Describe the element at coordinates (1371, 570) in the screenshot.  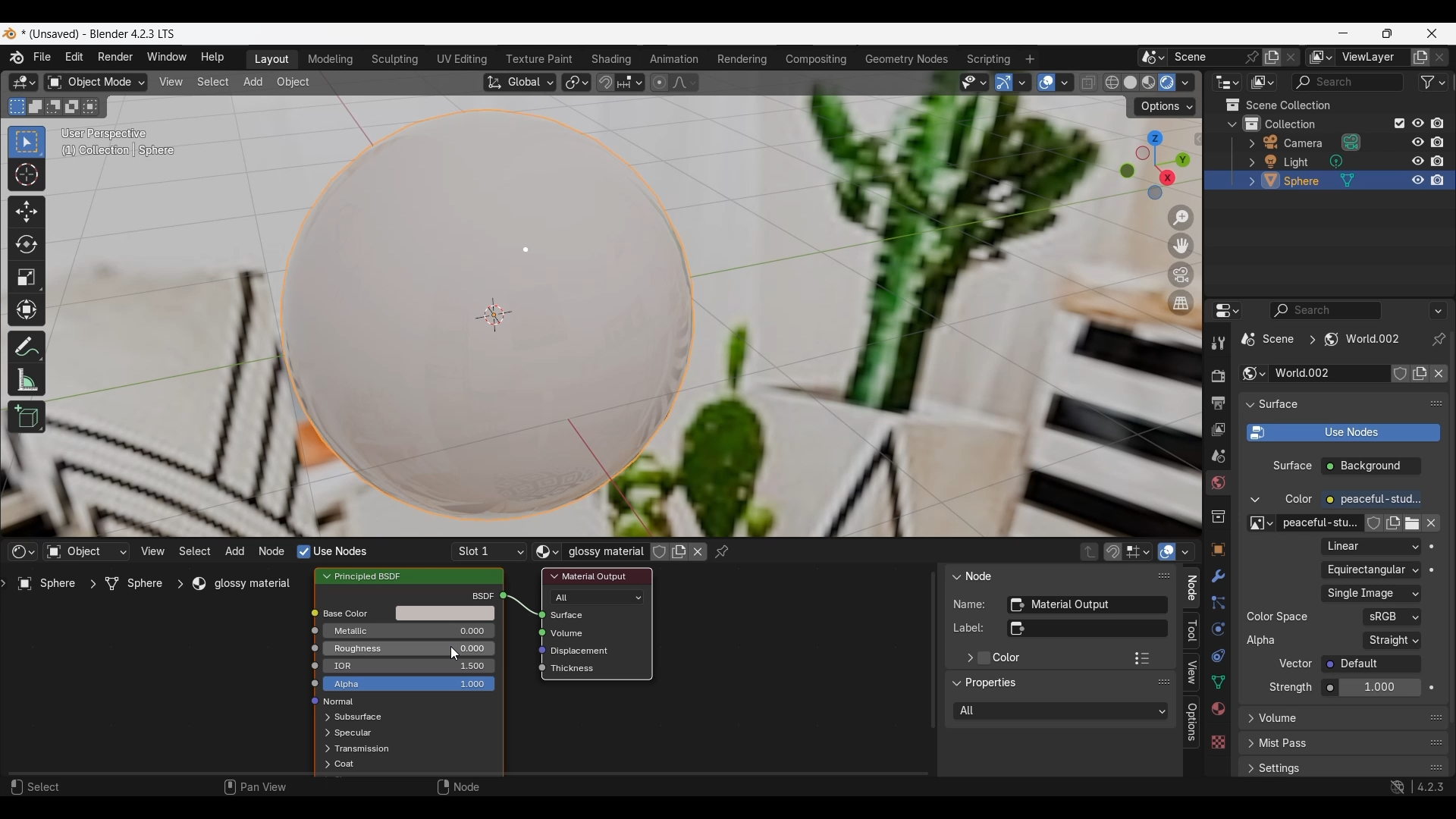
I see `Projection of the input image` at that location.